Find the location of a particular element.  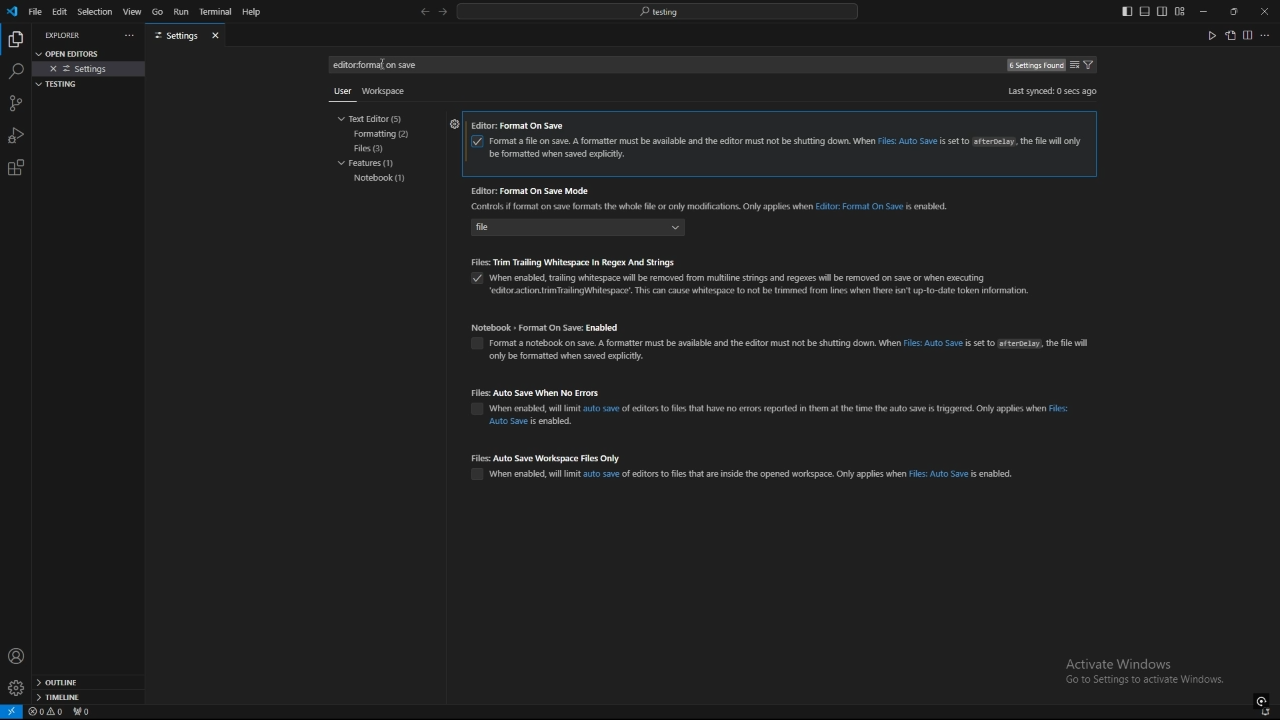

back is located at coordinates (424, 12).